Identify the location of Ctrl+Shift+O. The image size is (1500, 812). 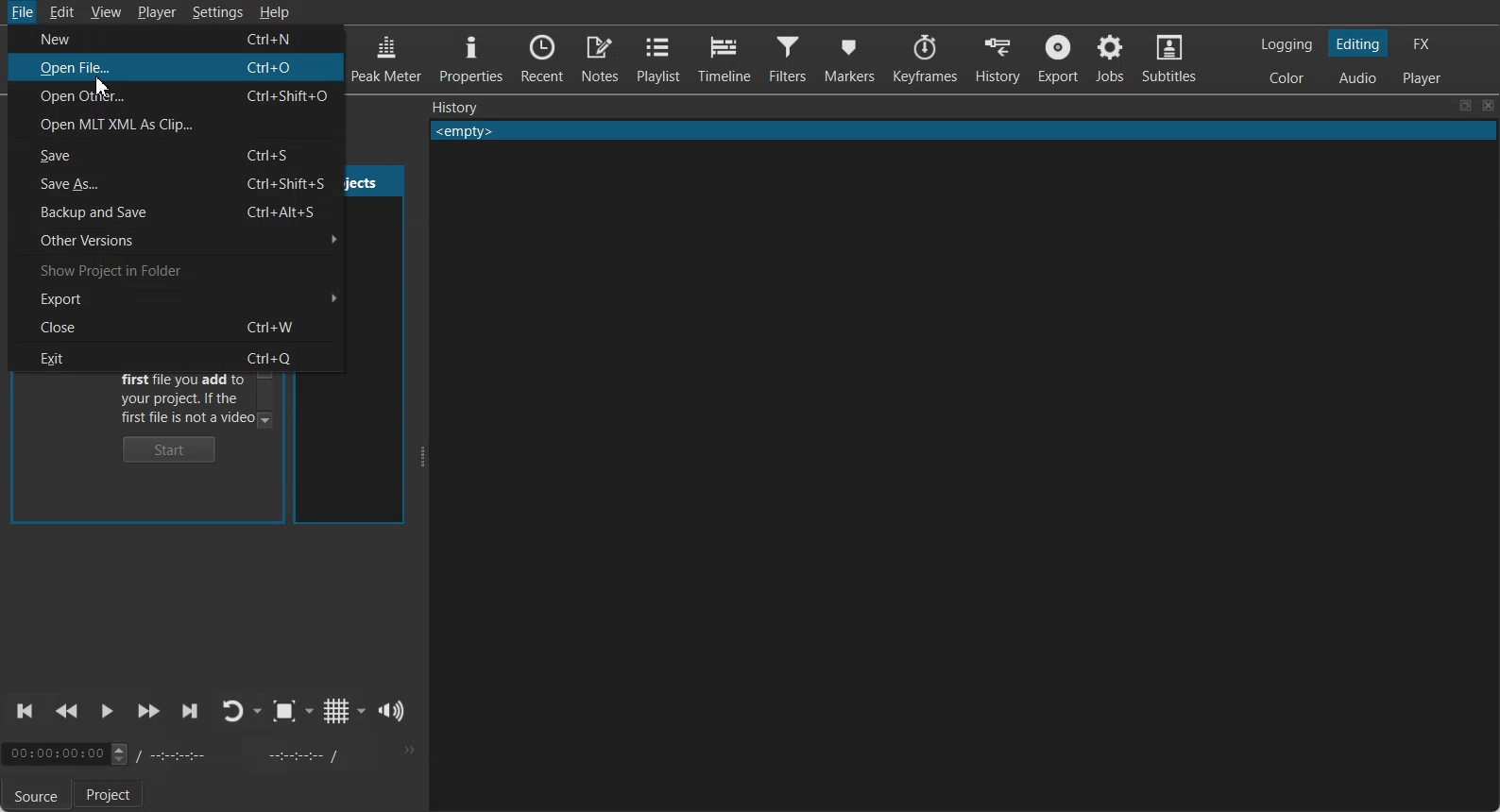
(292, 95).